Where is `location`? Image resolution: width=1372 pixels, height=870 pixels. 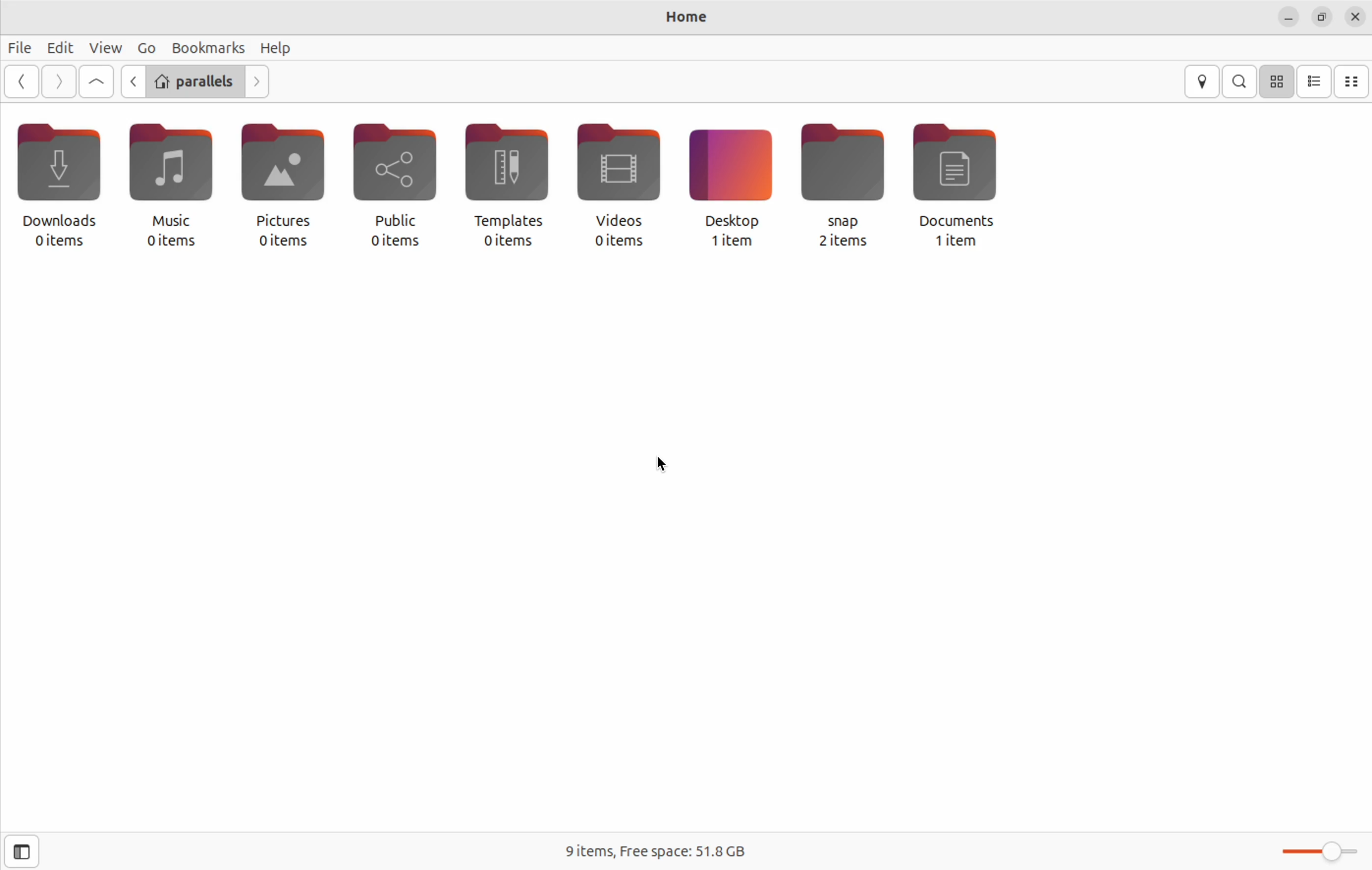 location is located at coordinates (1202, 82).